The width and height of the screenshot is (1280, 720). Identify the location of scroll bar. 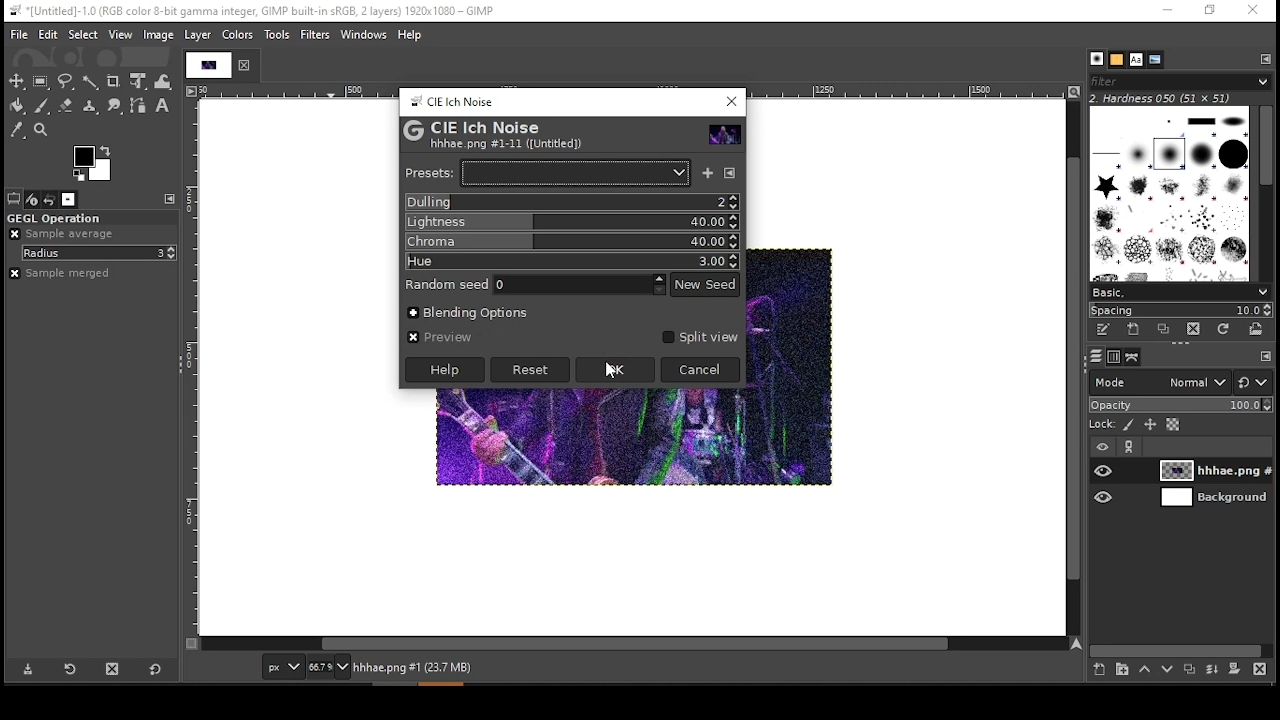
(1179, 648).